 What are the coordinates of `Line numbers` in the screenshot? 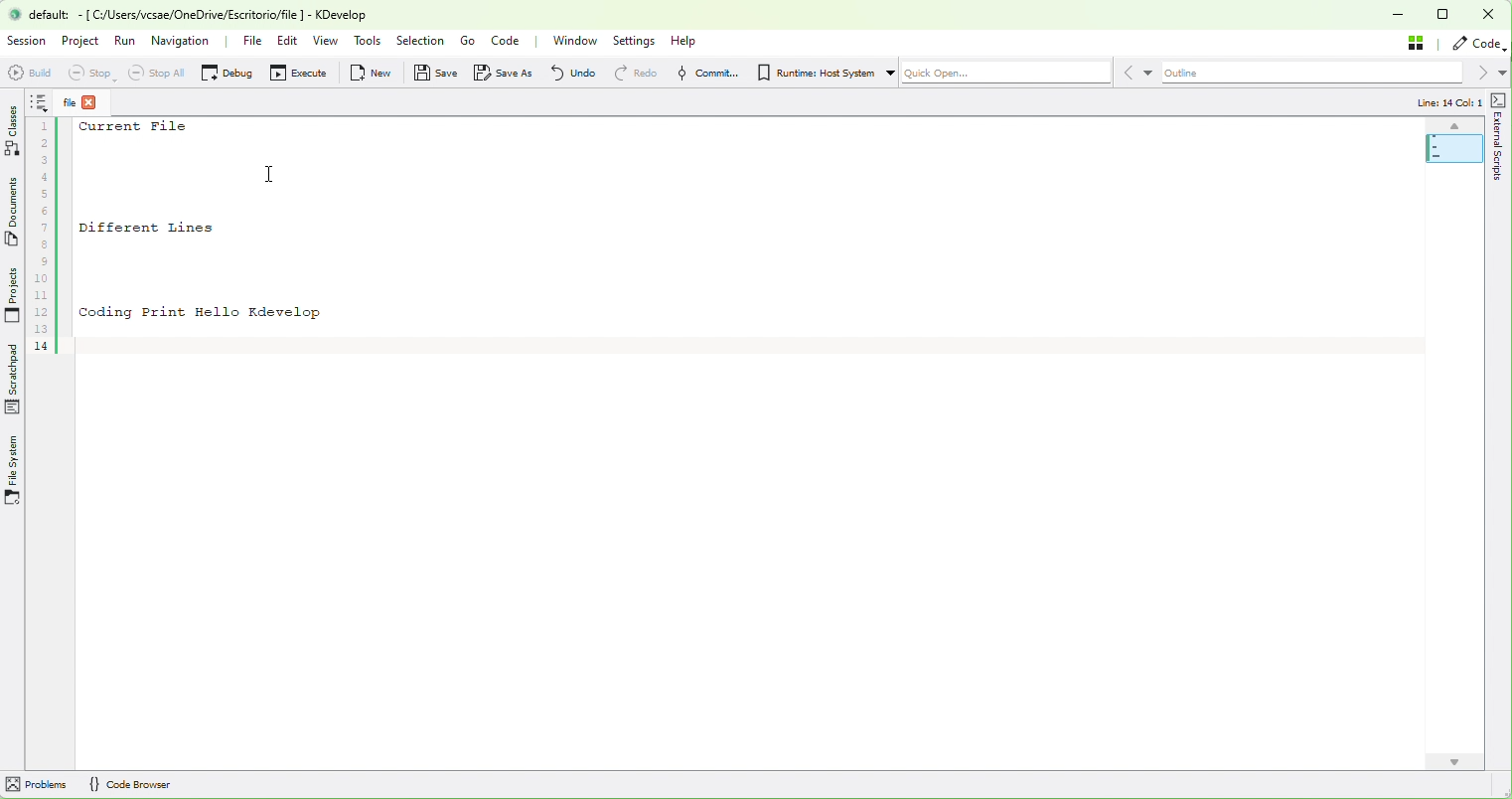 It's located at (47, 239).